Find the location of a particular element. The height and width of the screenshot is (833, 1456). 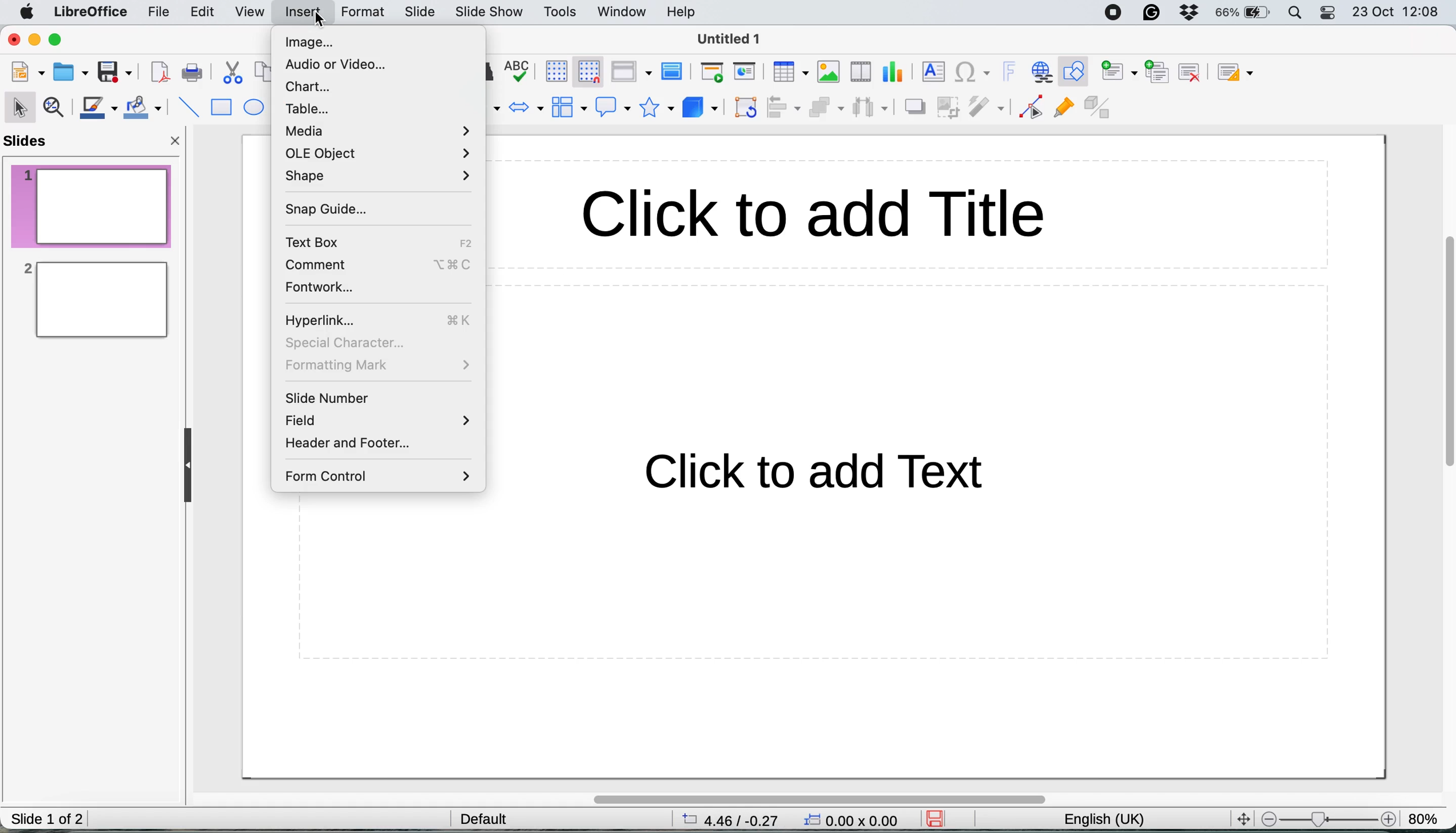

new slide is located at coordinates (1119, 73).